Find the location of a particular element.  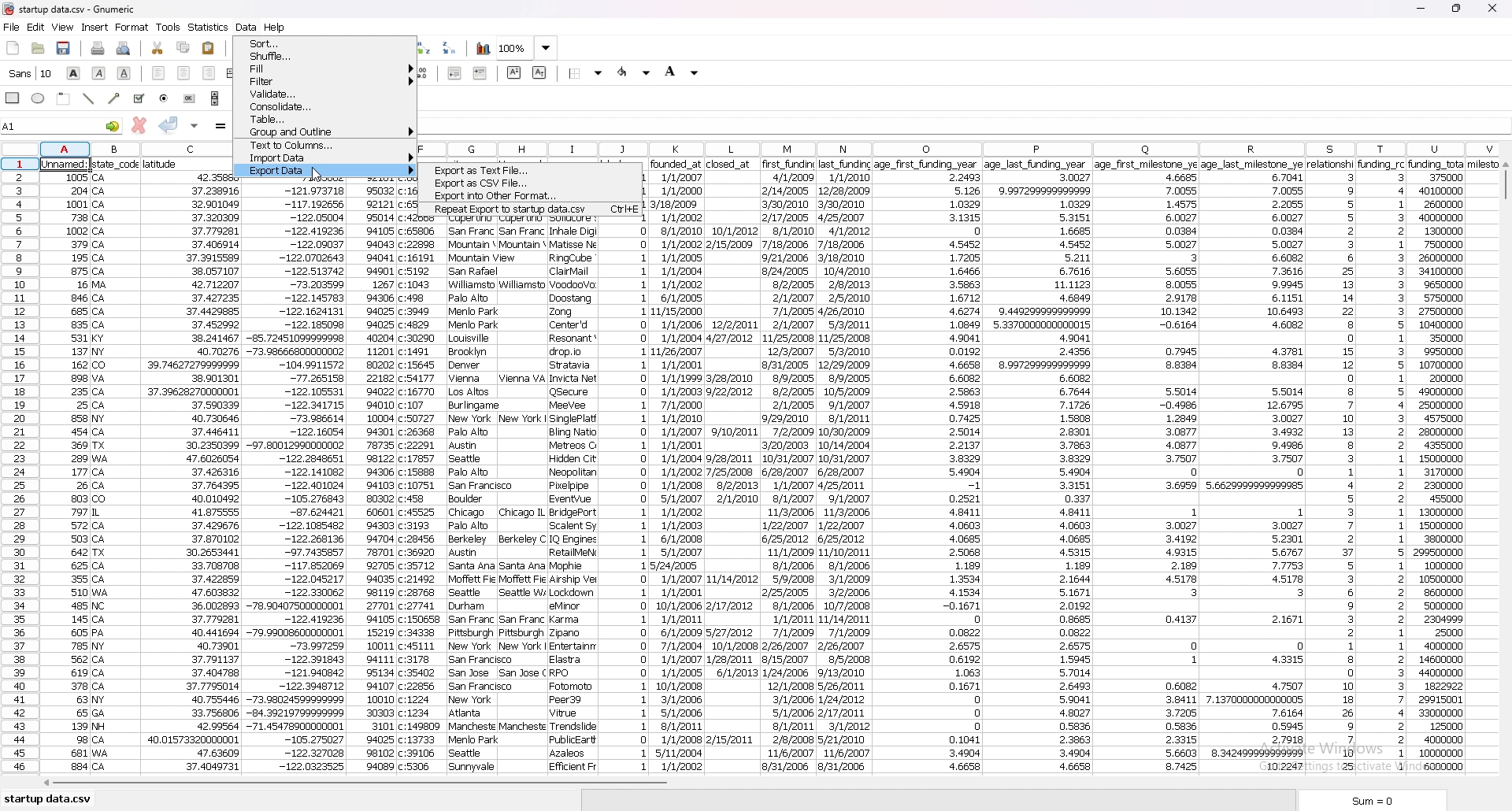

data is located at coordinates (1332, 468).